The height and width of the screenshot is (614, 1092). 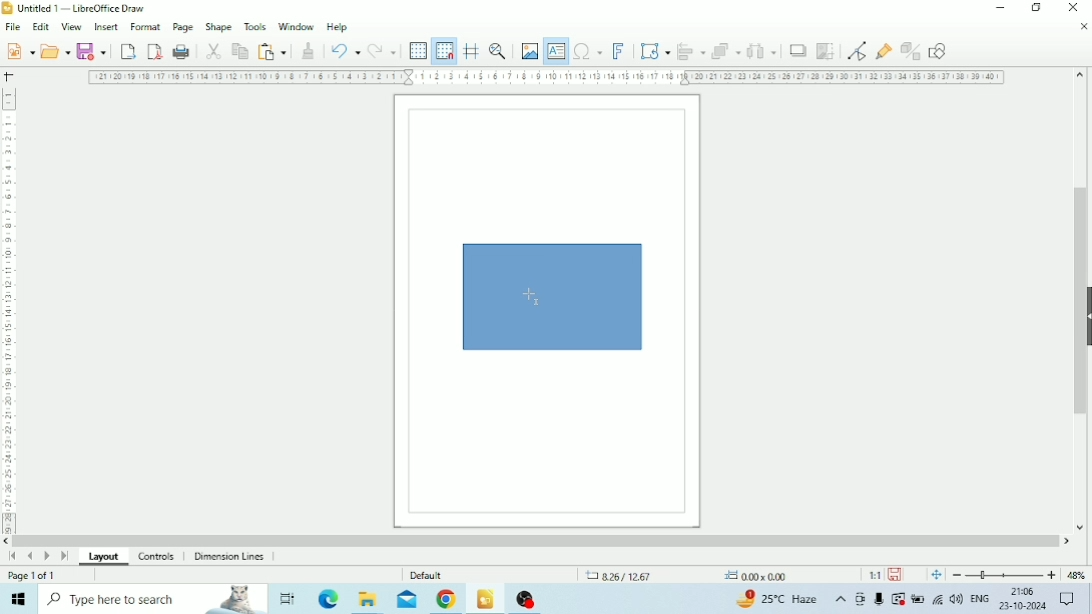 I want to click on Zoom factor, so click(x=1076, y=574).